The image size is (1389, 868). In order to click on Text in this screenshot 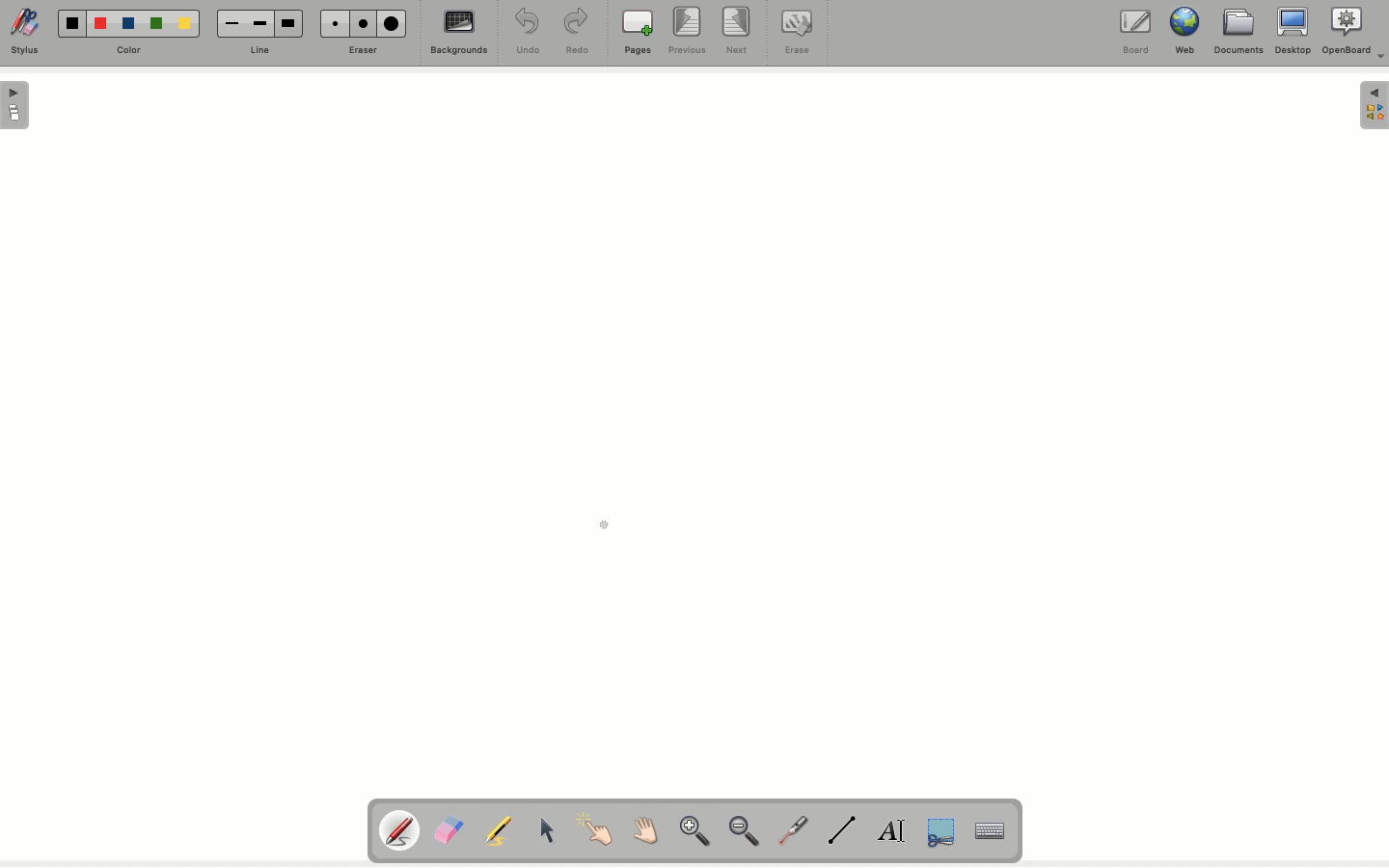, I will do `click(893, 830)`.